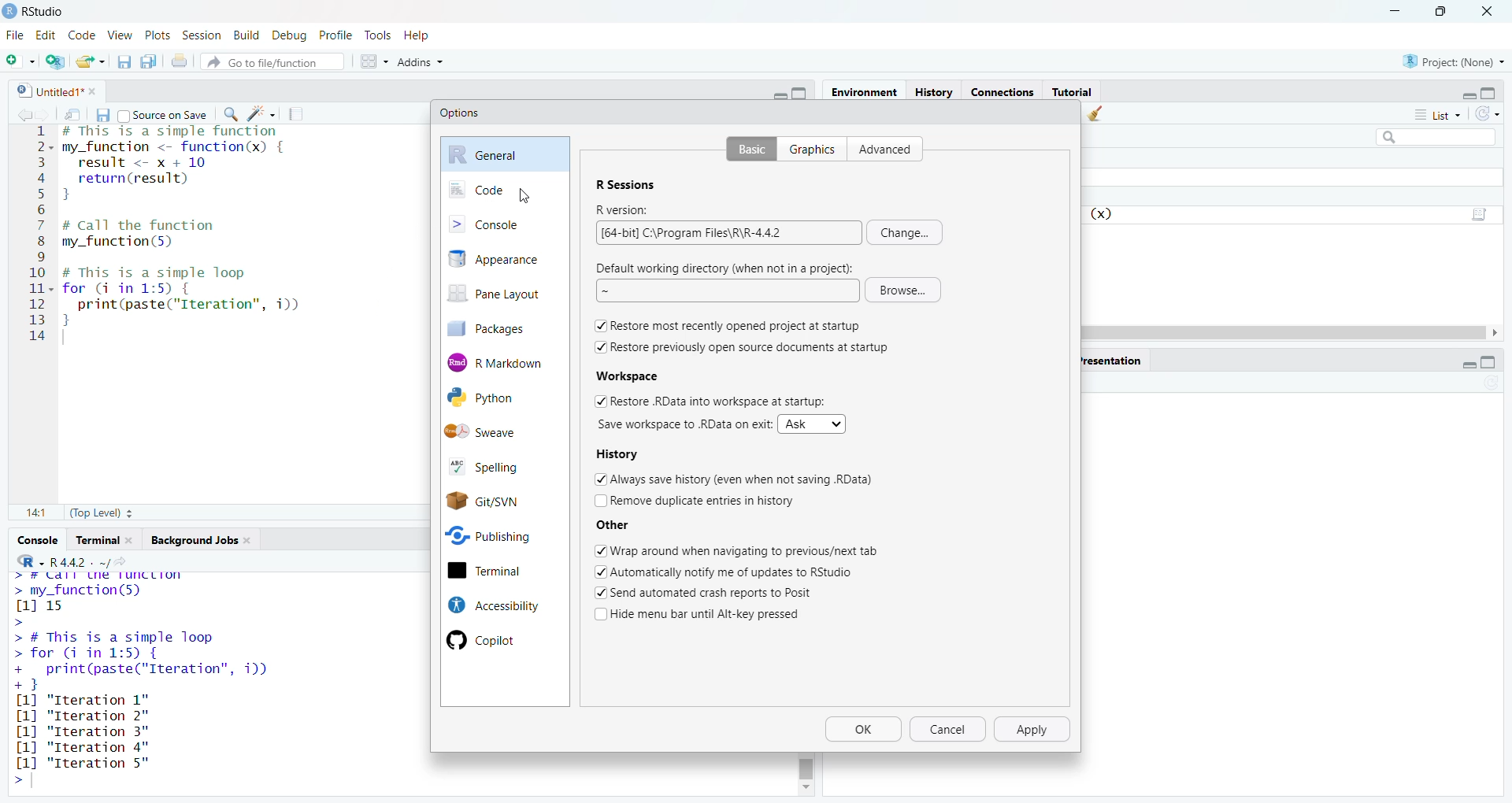 Image resolution: width=1512 pixels, height=803 pixels. I want to click on new file, so click(20, 58).